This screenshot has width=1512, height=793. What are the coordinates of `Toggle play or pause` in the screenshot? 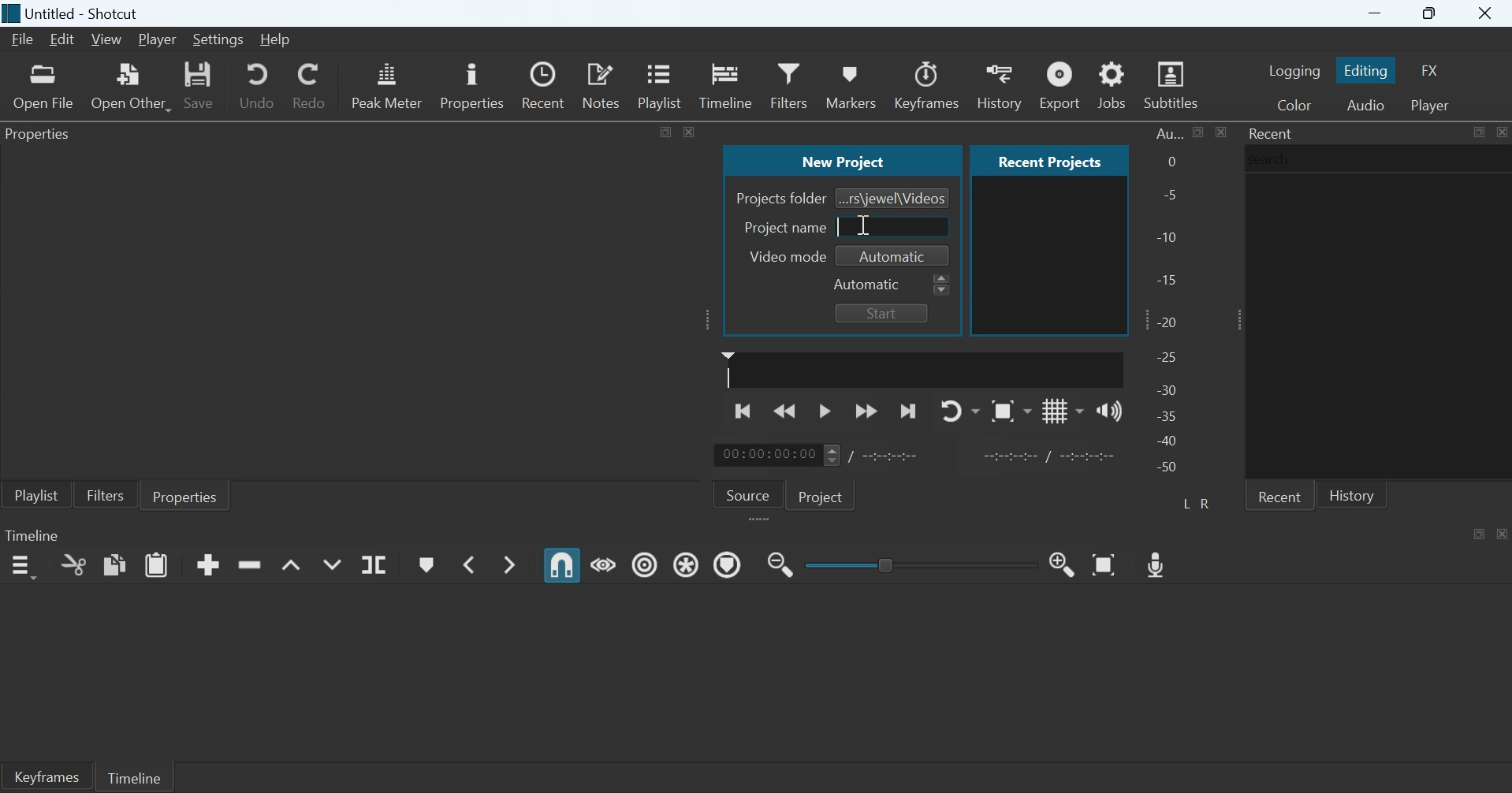 It's located at (825, 411).